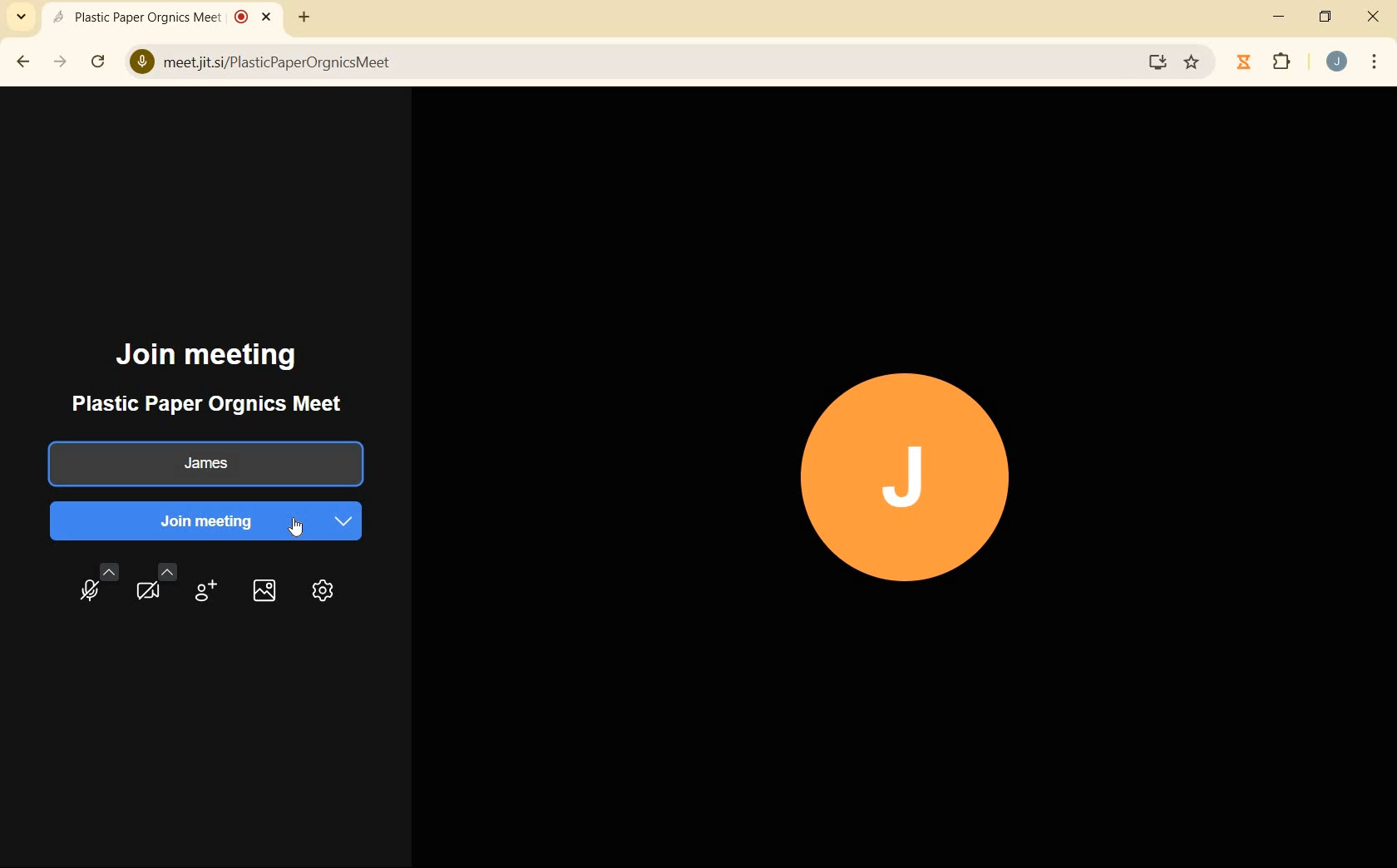 The height and width of the screenshot is (868, 1397). What do you see at coordinates (98, 60) in the screenshot?
I see `reload` at bounding box center [98, 60].